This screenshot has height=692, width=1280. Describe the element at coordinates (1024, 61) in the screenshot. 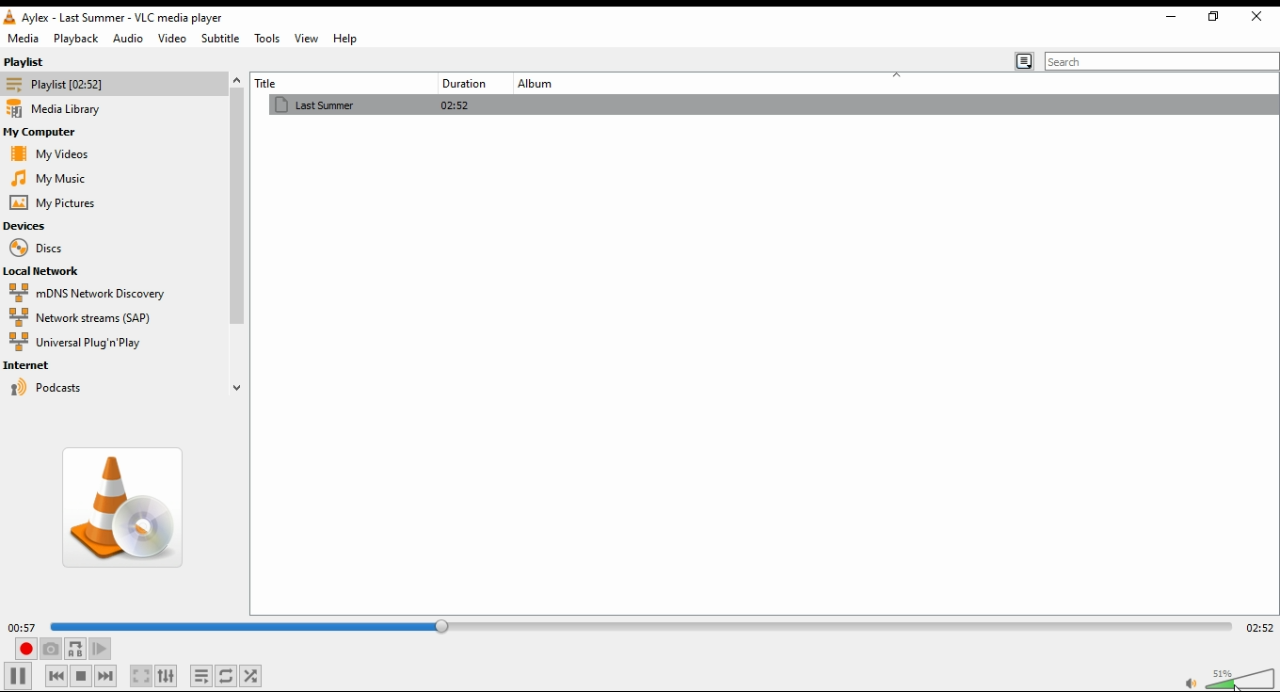

I see `toggle playlist view` at that location.